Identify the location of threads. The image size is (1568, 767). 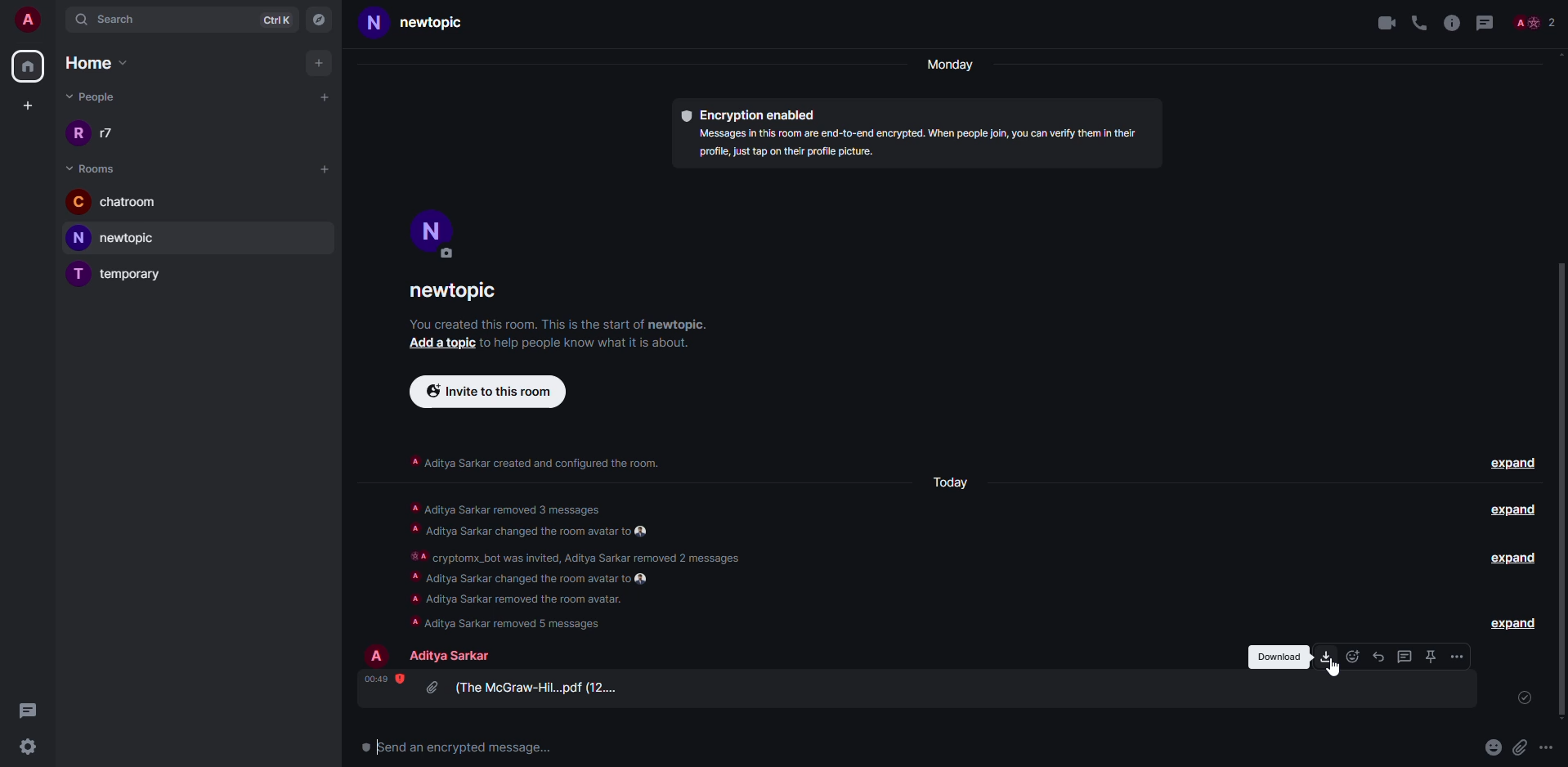
(25, 711).